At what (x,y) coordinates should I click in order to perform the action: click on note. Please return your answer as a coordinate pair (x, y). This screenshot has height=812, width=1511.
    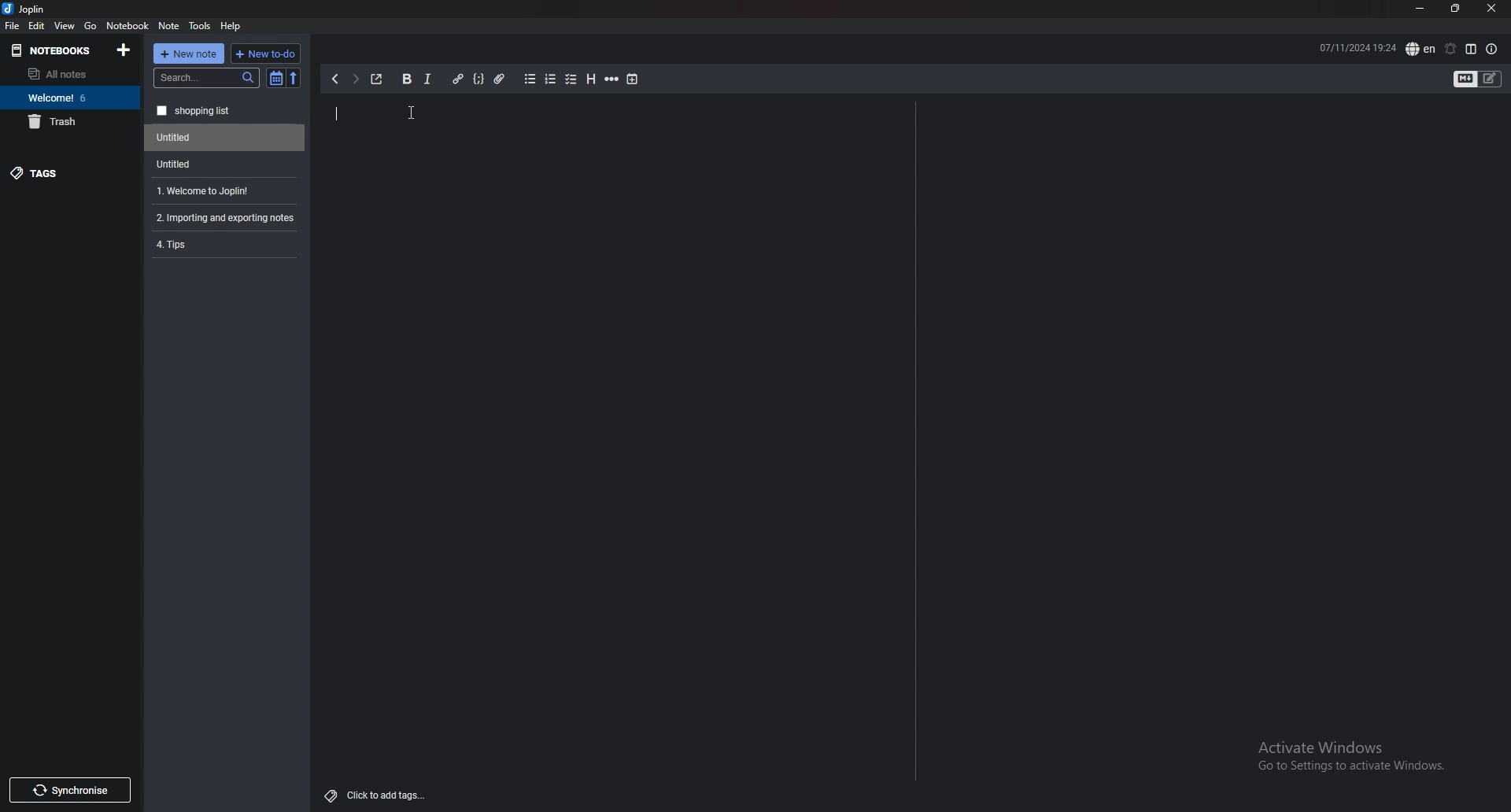
    Looking at the image, I should click on (169, 26).